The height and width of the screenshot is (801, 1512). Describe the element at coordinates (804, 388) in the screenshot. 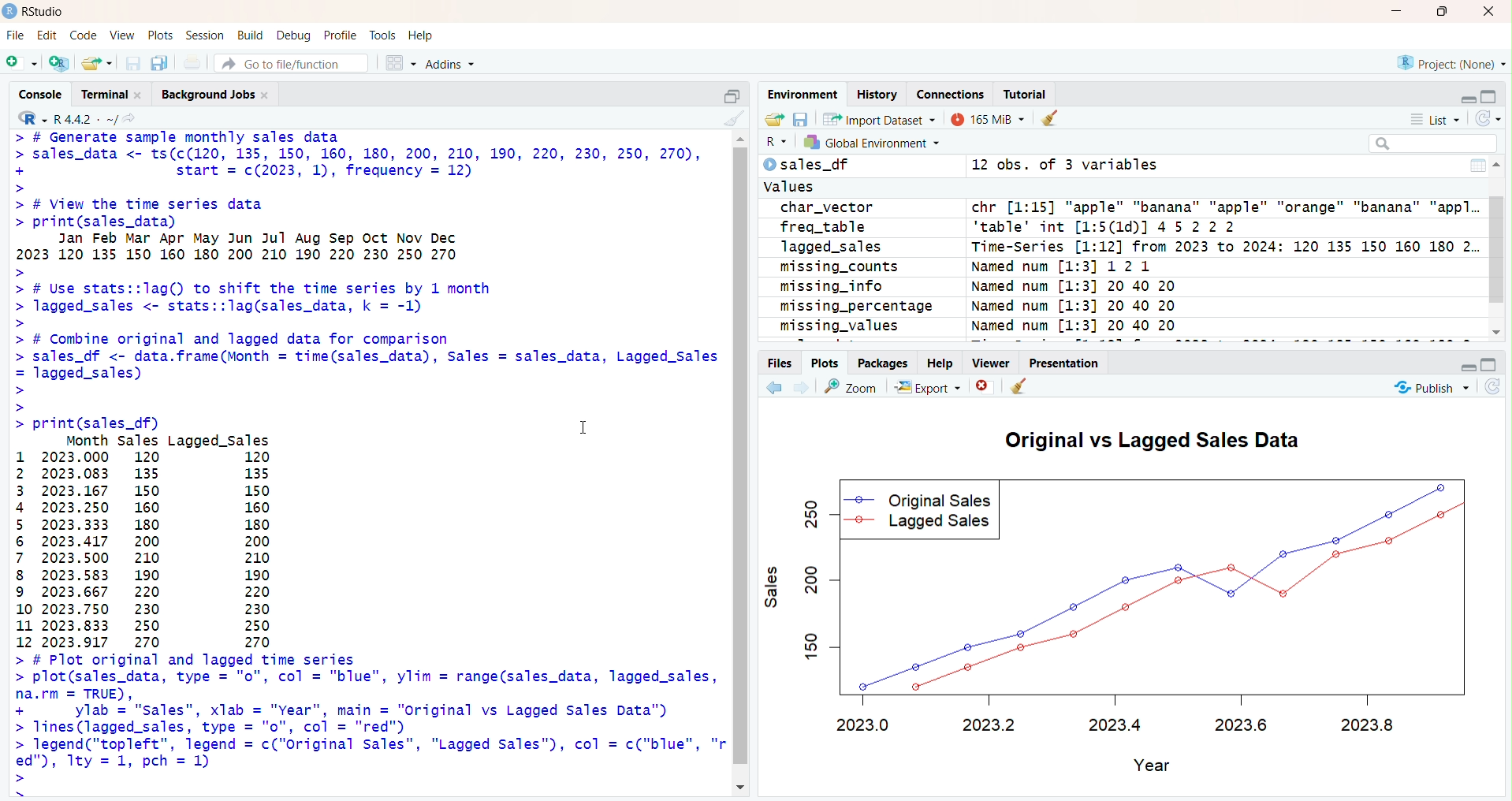

I see `next plot` at that location.